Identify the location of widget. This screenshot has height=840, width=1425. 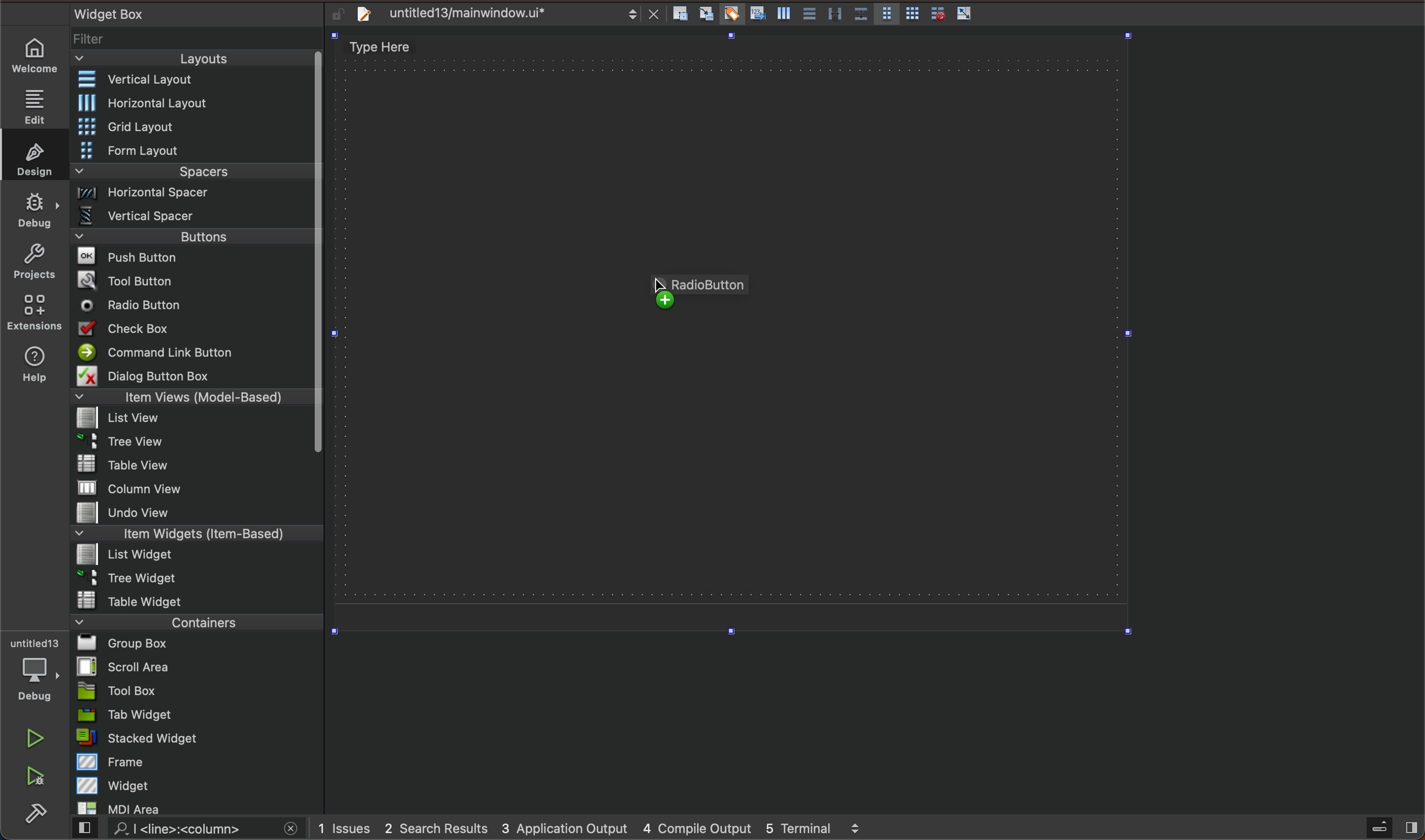
(199, 785).